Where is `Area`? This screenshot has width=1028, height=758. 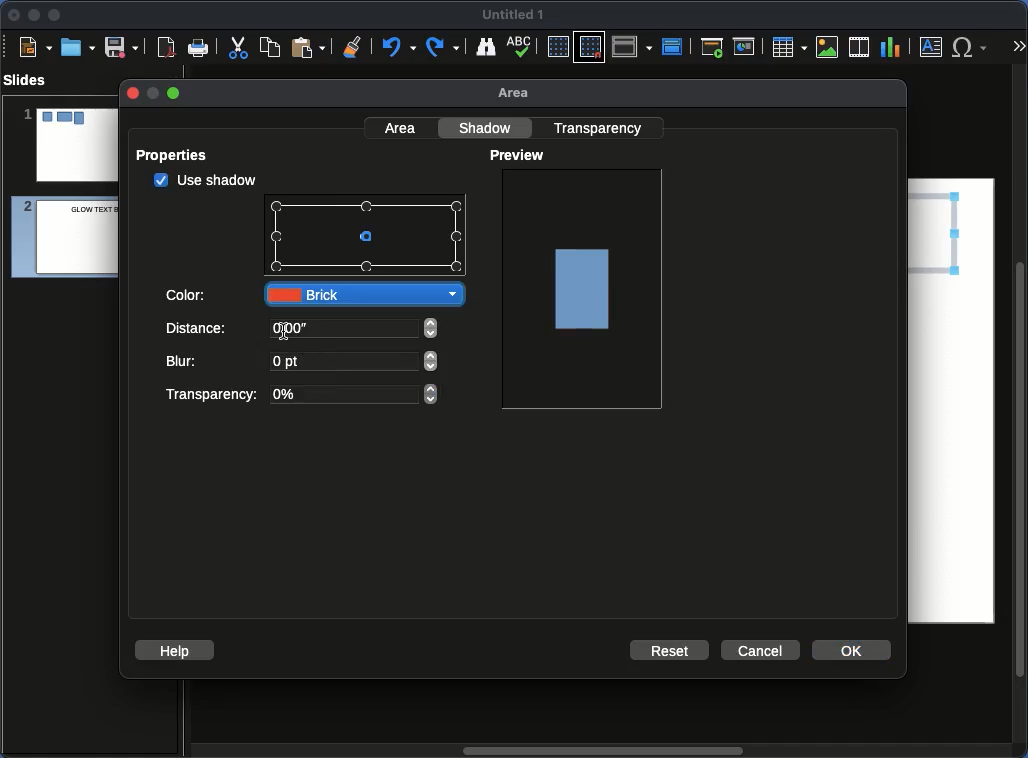 Area is located at coordinates (519, 94).